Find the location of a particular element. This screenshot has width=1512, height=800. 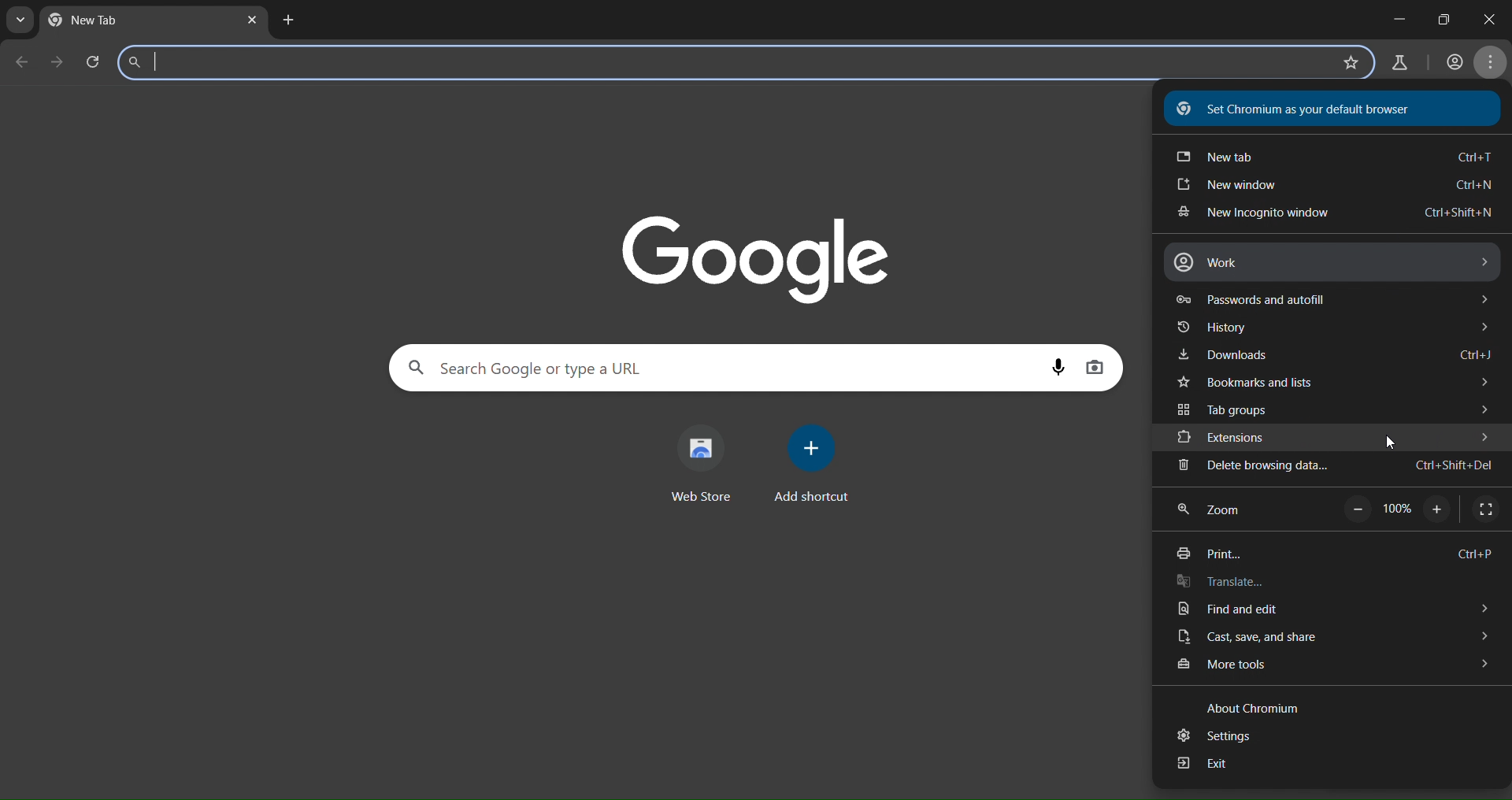

search panel is located at coordinates (713, 368).